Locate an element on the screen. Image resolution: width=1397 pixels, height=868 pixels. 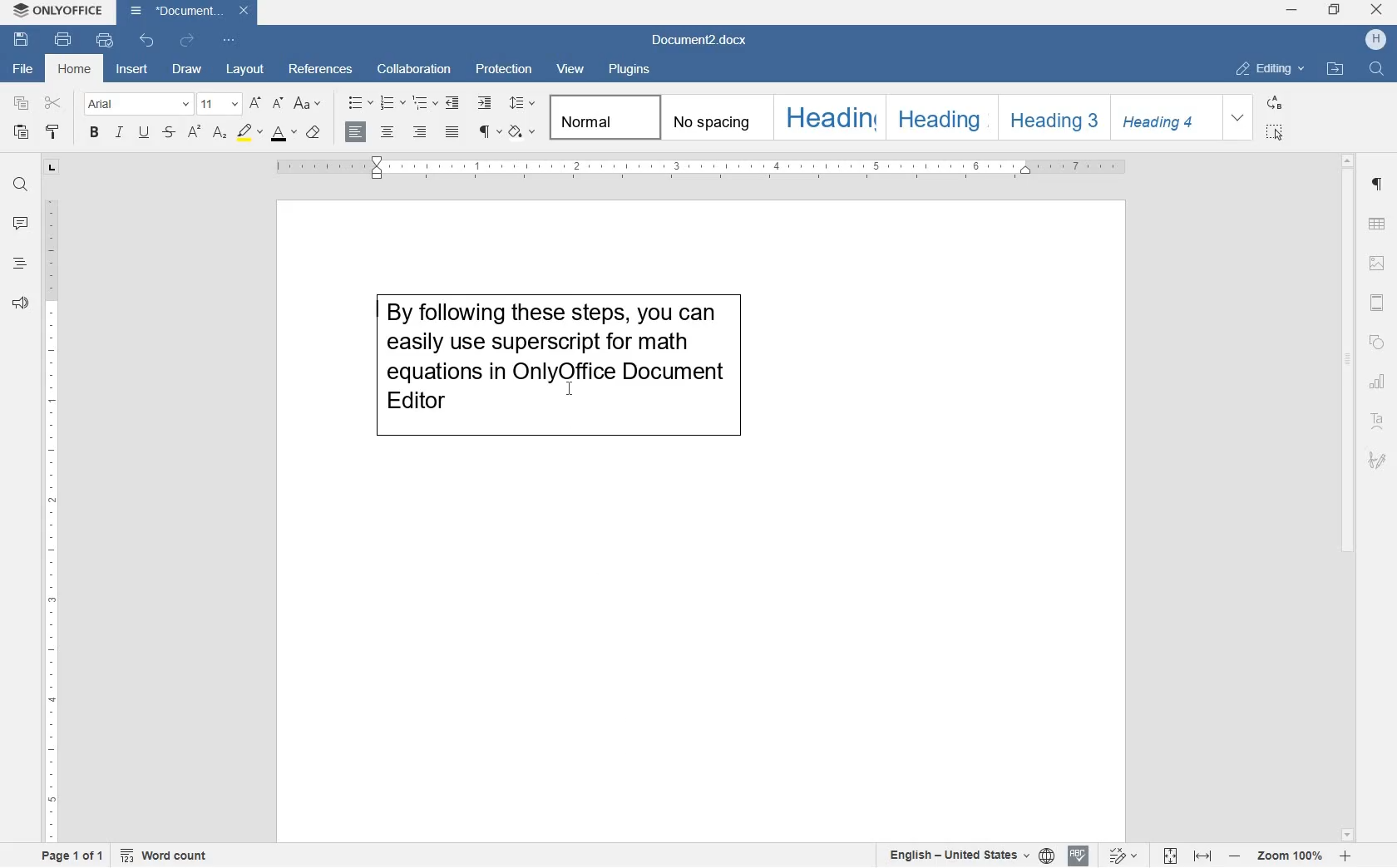
home is located at coordinates (72, 68).